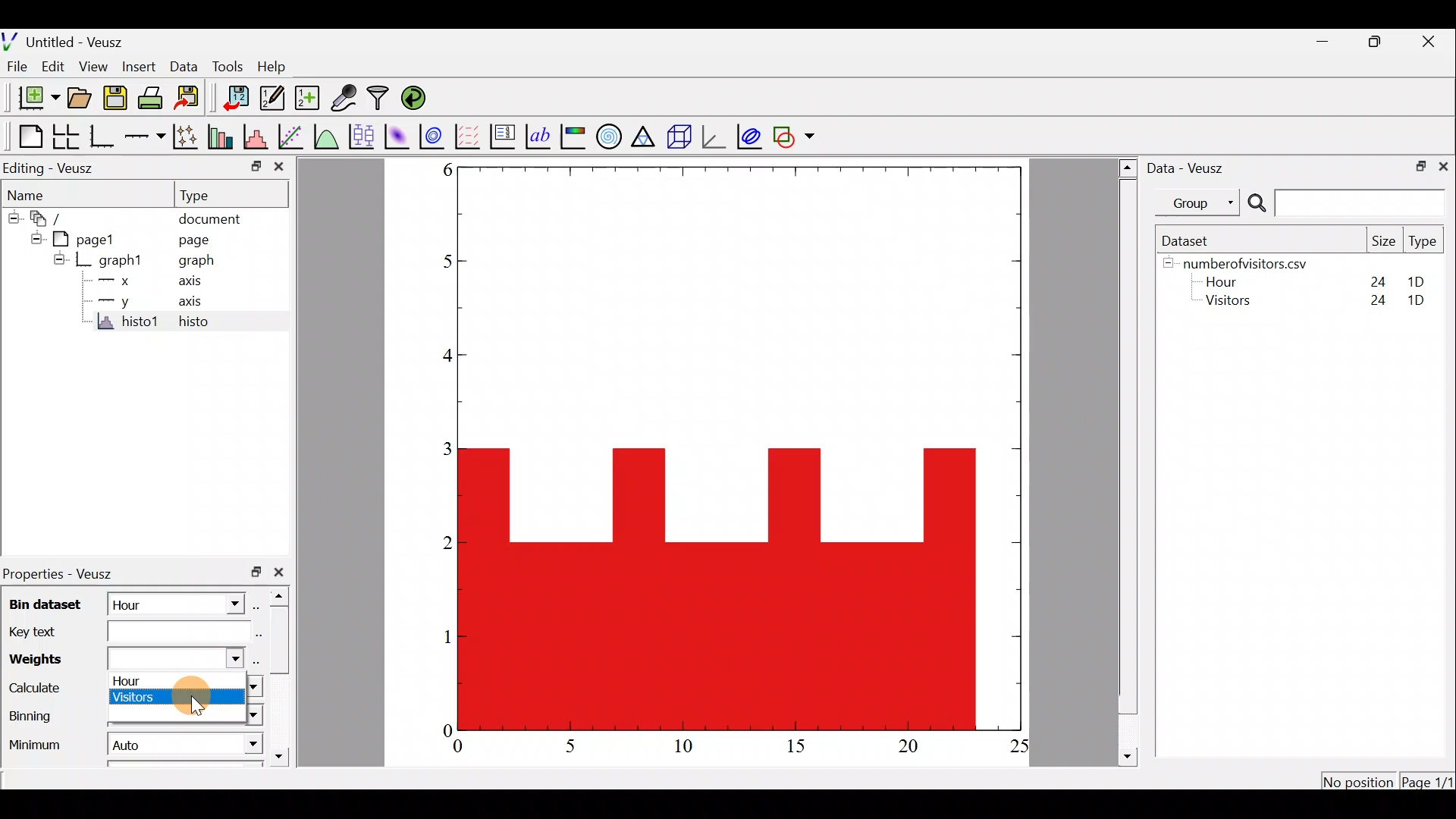  Describe the element at coordinates (146, 135) in the screenshot. I see `add an axis to the plot` at that location.